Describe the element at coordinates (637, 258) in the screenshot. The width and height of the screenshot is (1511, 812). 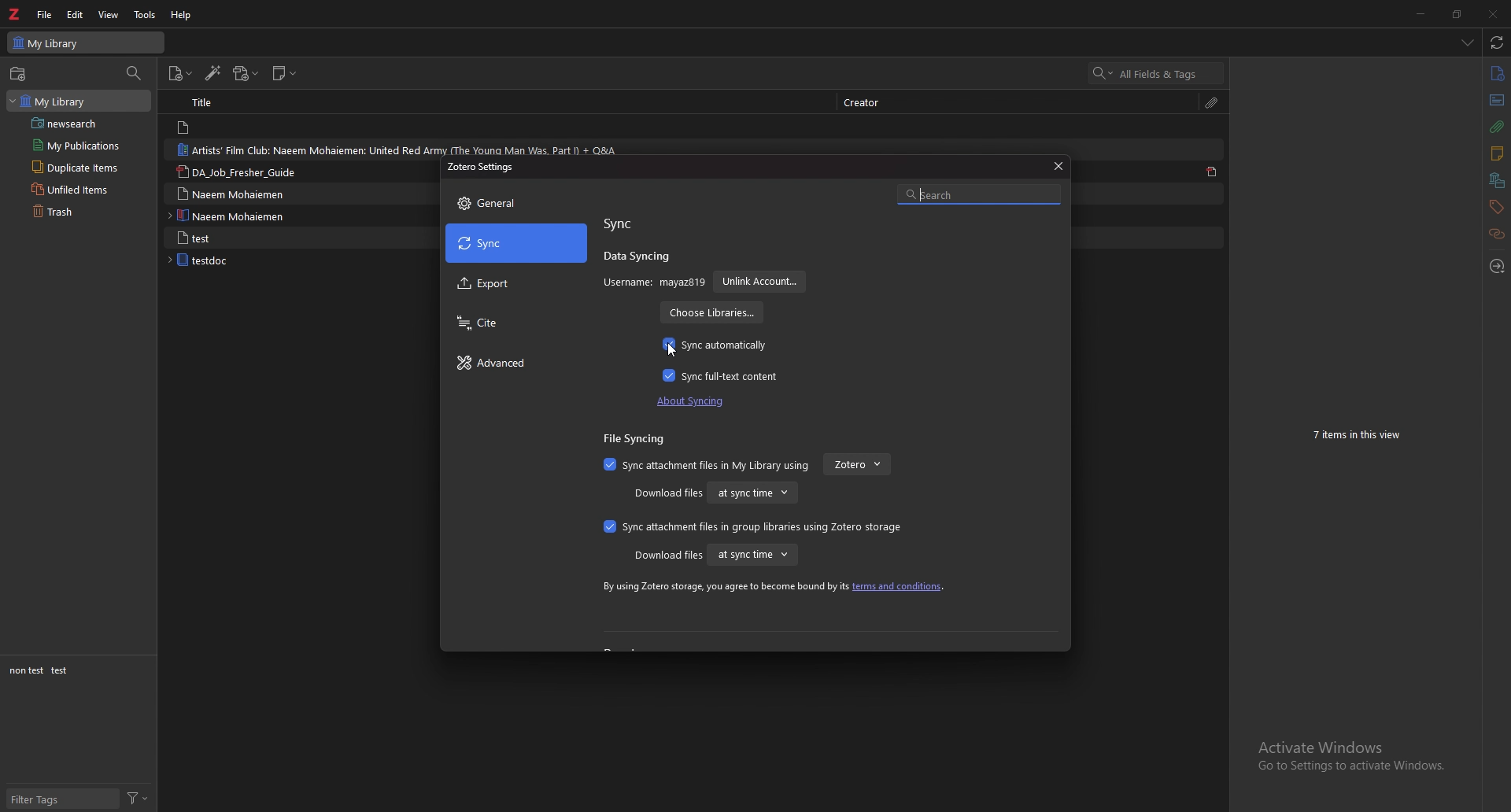
I see `data syncing` at that location.